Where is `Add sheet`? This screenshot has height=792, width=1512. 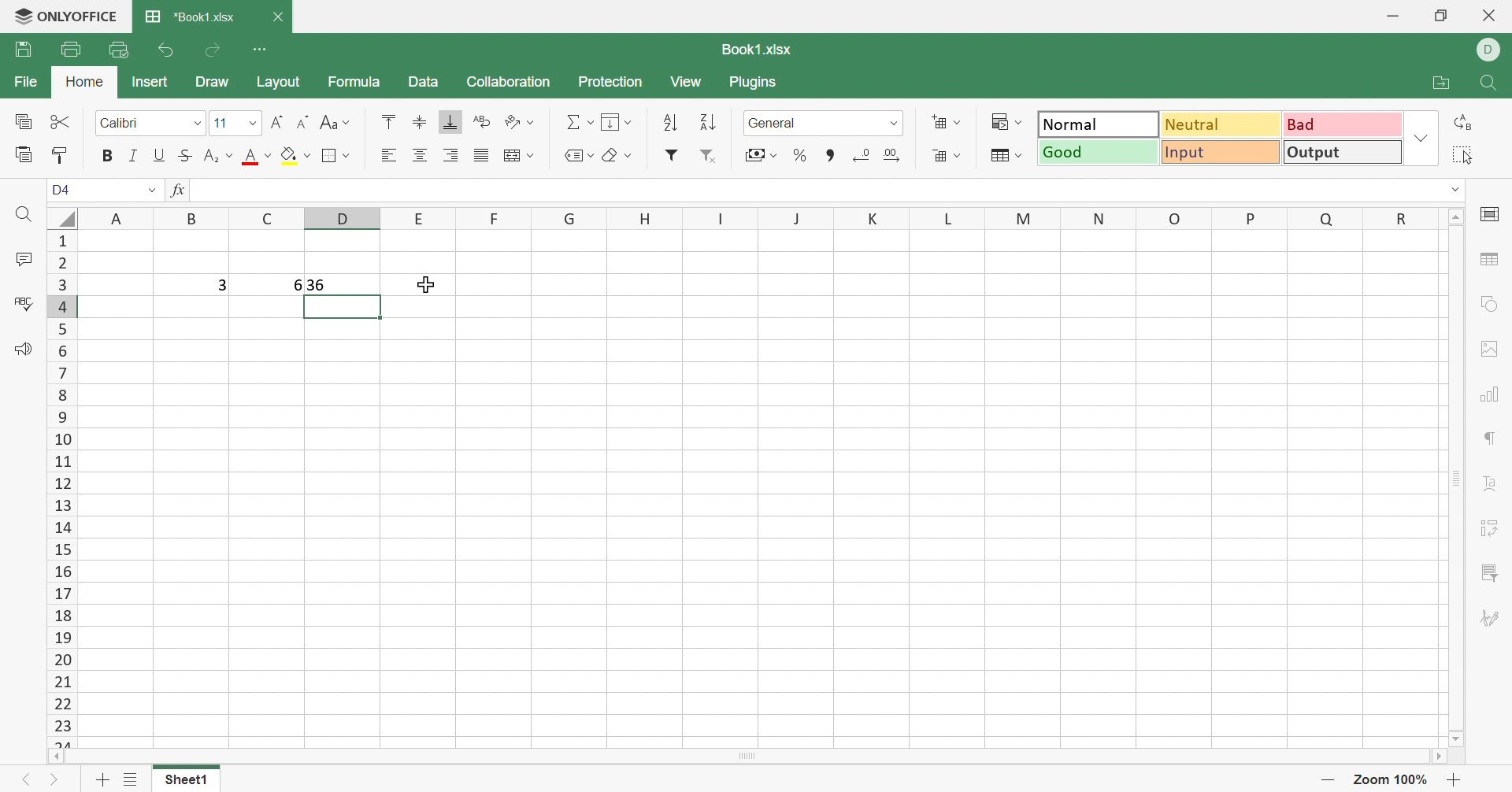 Add sheet is located at coordinates (99, 781).